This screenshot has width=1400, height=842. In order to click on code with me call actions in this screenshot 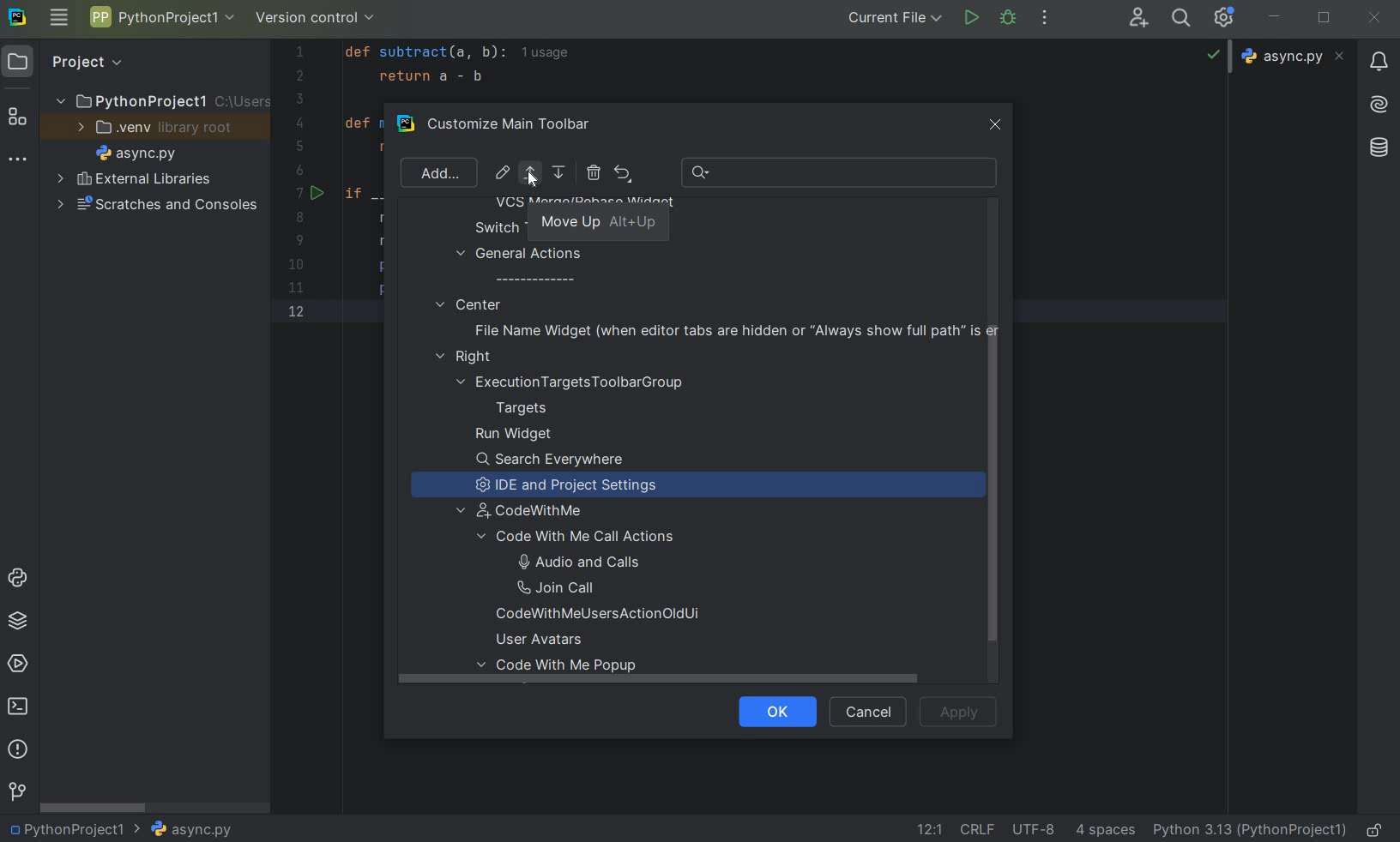, I will do `click(594, 537)`.